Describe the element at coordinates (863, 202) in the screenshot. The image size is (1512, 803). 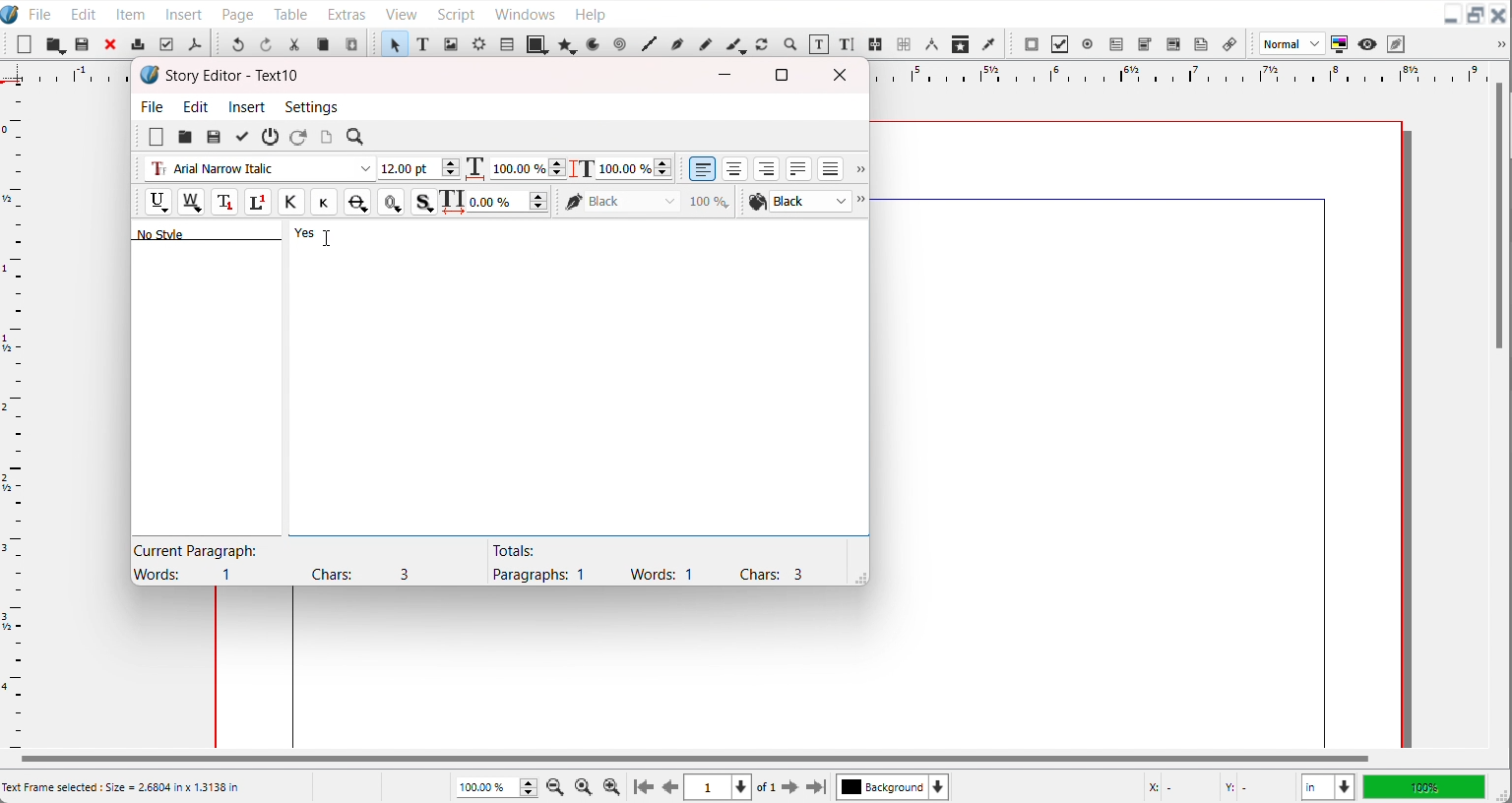
I see `Drop down box` at that location.